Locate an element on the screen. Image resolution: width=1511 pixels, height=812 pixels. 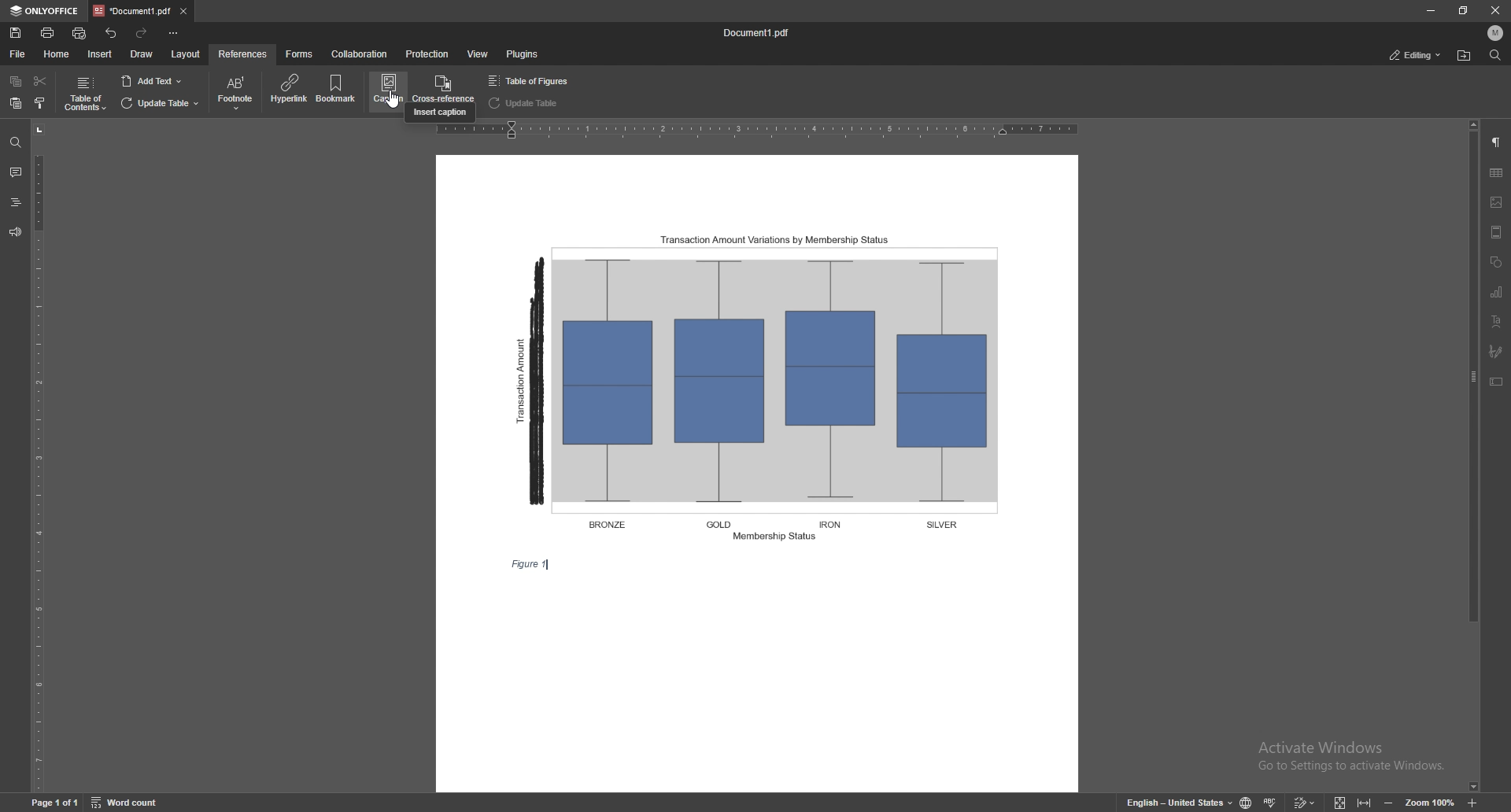
onlyoffice is located at coordinates (46, 10).